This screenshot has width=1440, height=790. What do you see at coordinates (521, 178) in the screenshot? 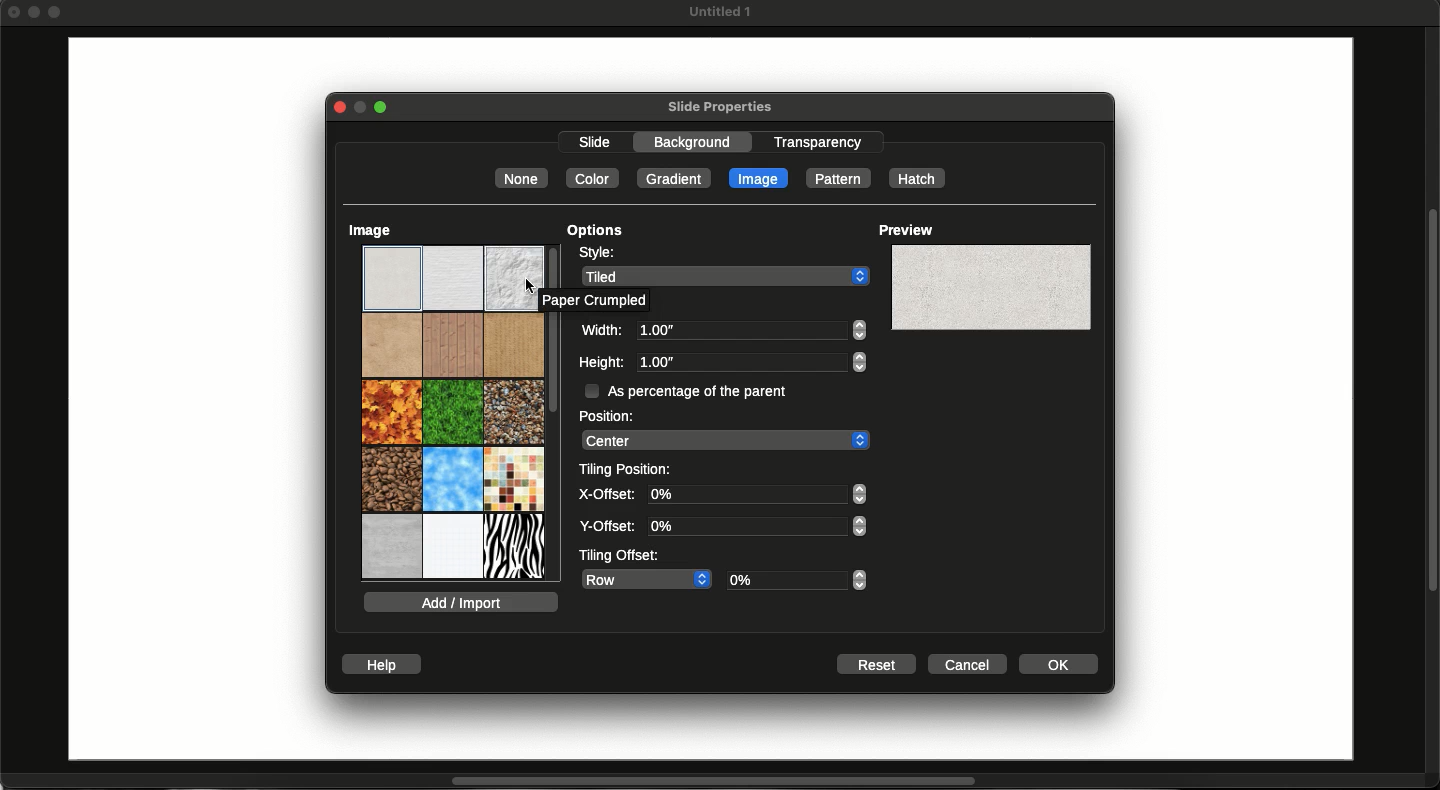
I see `None` at bounding box center [521, 178].